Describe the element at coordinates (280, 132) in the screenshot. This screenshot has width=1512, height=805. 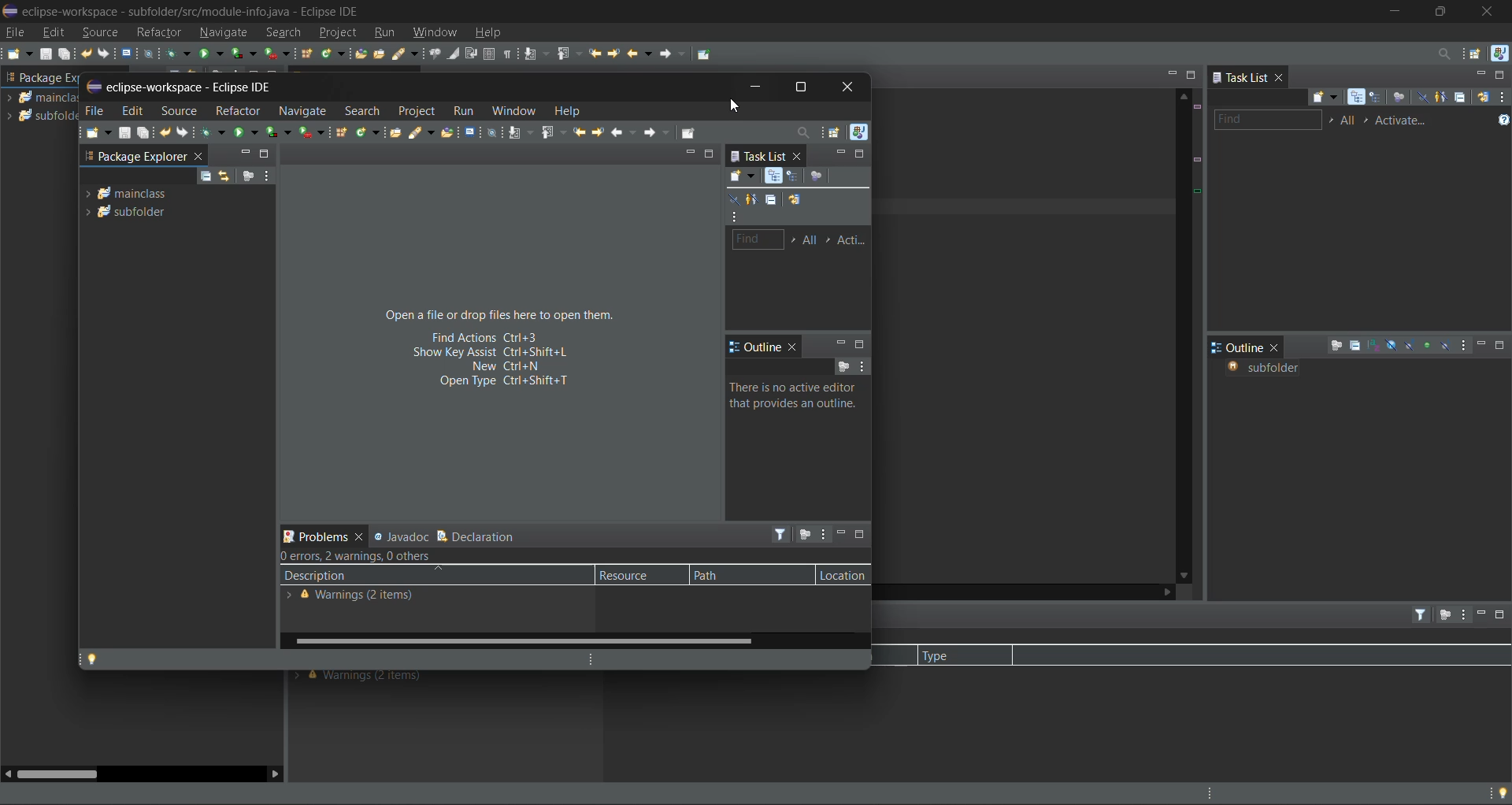
I see `coverage` at that location.